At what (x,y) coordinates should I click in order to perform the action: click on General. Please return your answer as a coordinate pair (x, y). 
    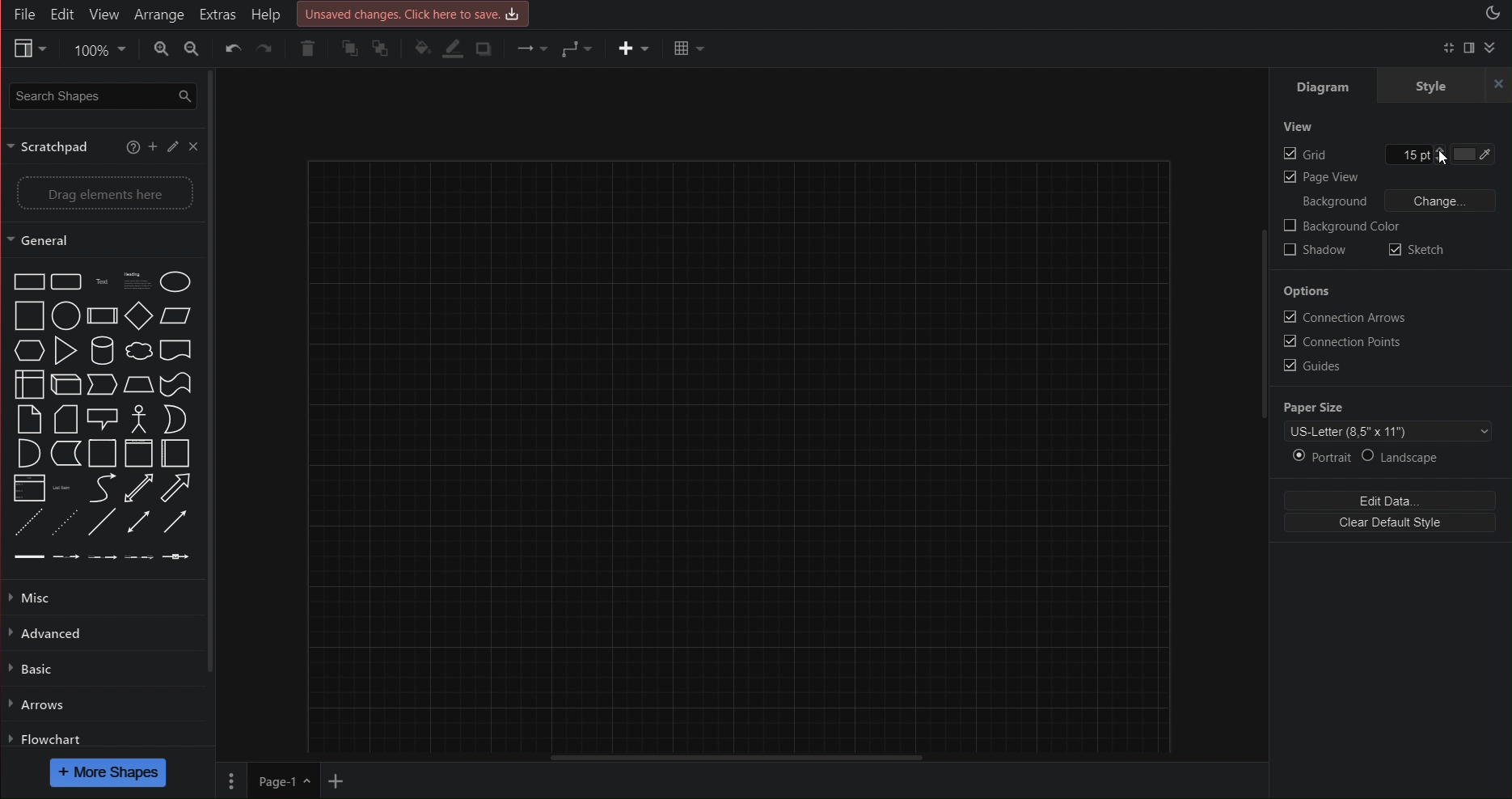
    Looking at the image, I should click on (101, 242).